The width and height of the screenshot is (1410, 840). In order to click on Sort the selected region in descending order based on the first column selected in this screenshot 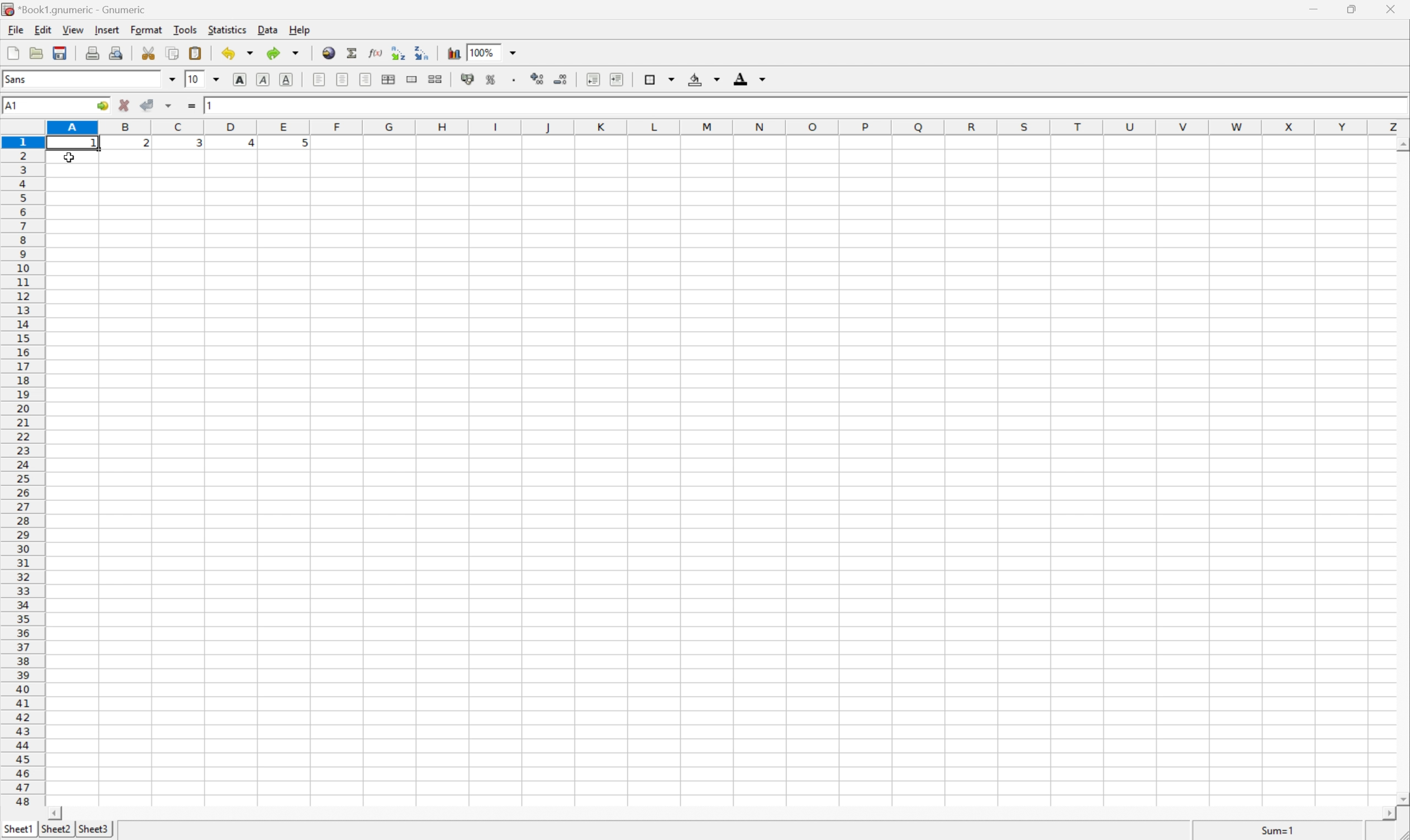, I will do `click(422, 53)`.